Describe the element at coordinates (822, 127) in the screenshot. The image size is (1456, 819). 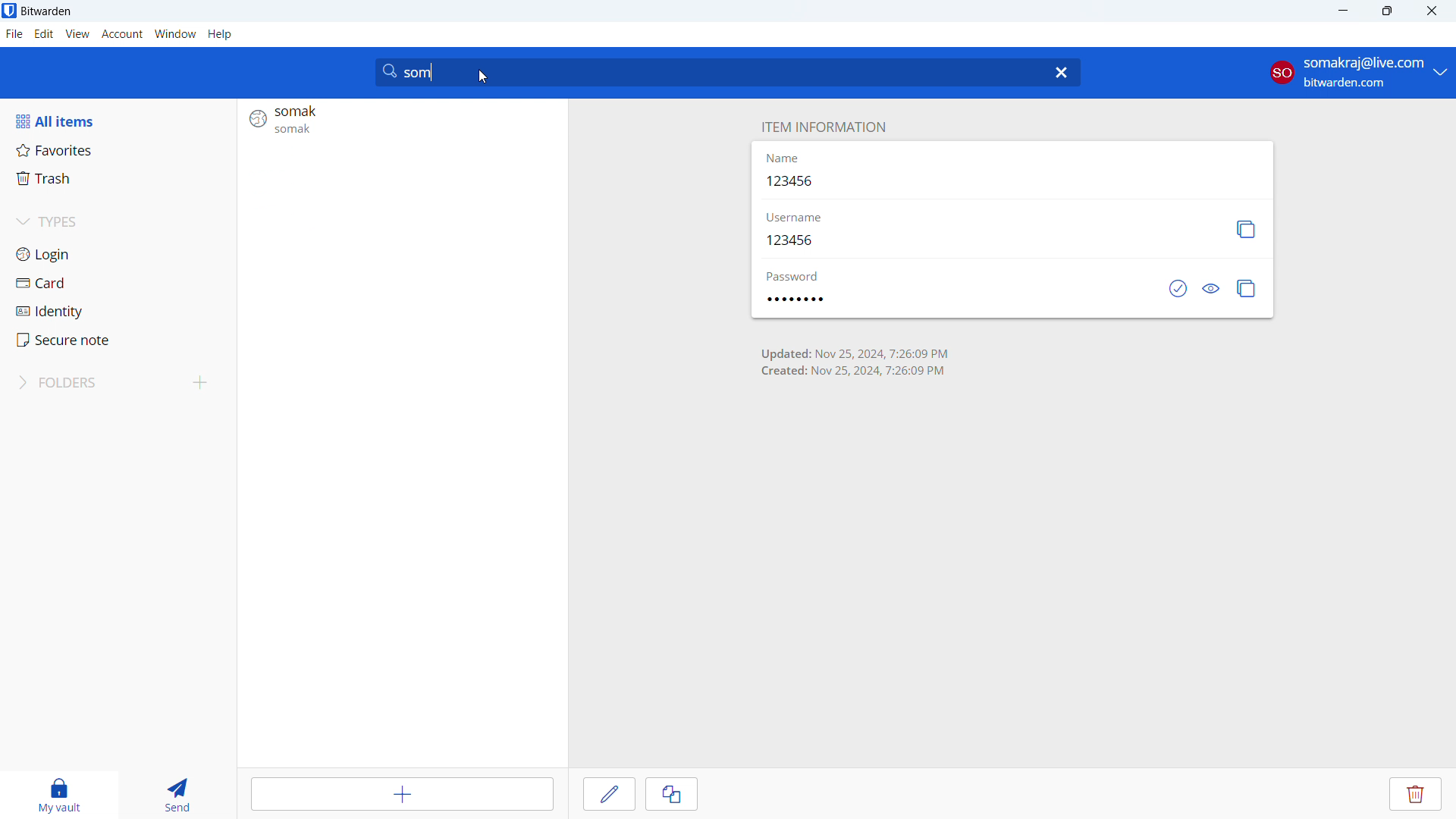
I see `item information` at that location.